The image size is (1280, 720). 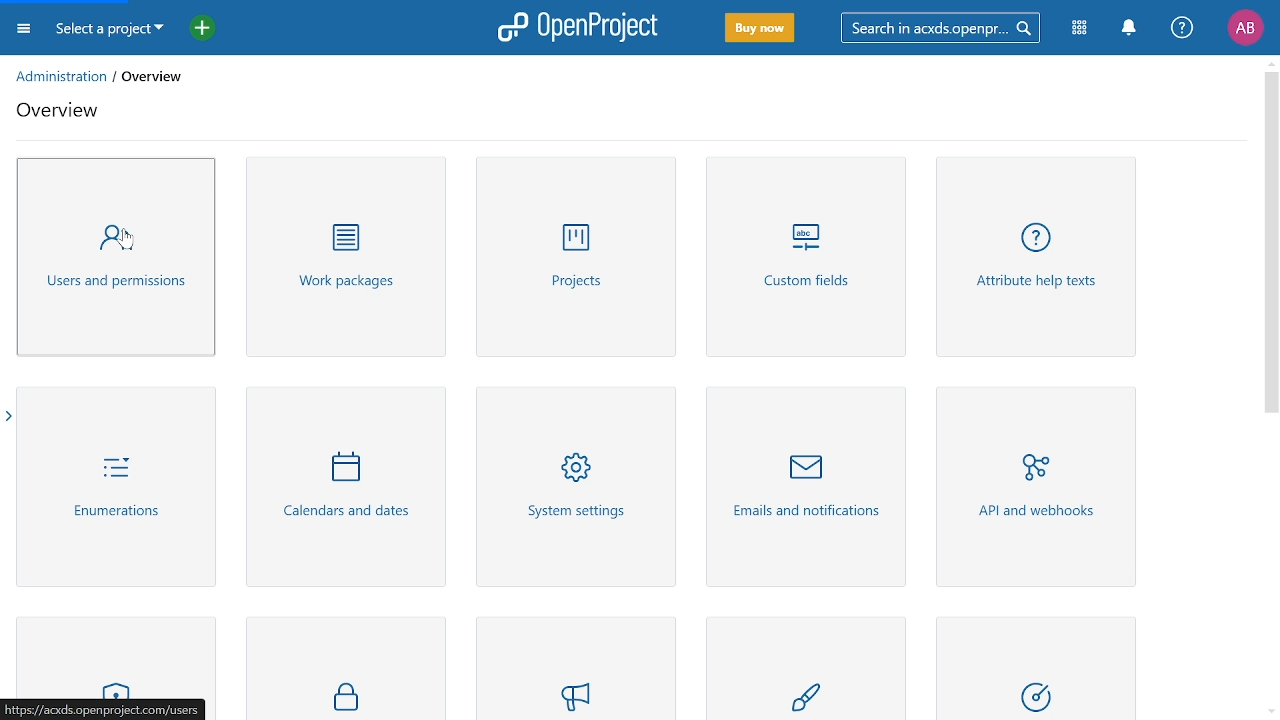 What do you see at coordinates (197, 30) in the screenshot?
I see `add project` at bounding box center [197, 30].